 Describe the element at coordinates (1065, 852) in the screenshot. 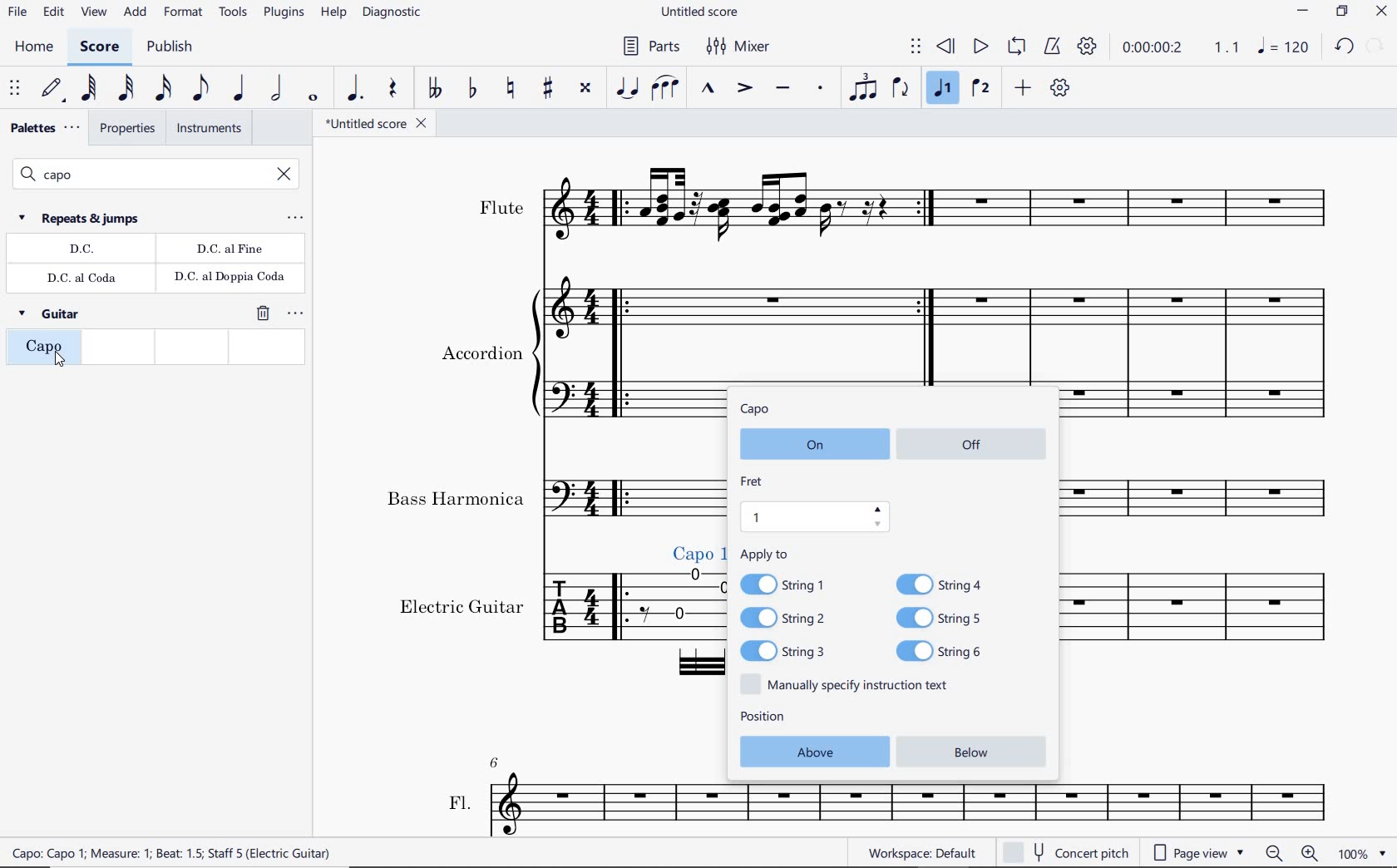

I see `concert pitch` at that location.